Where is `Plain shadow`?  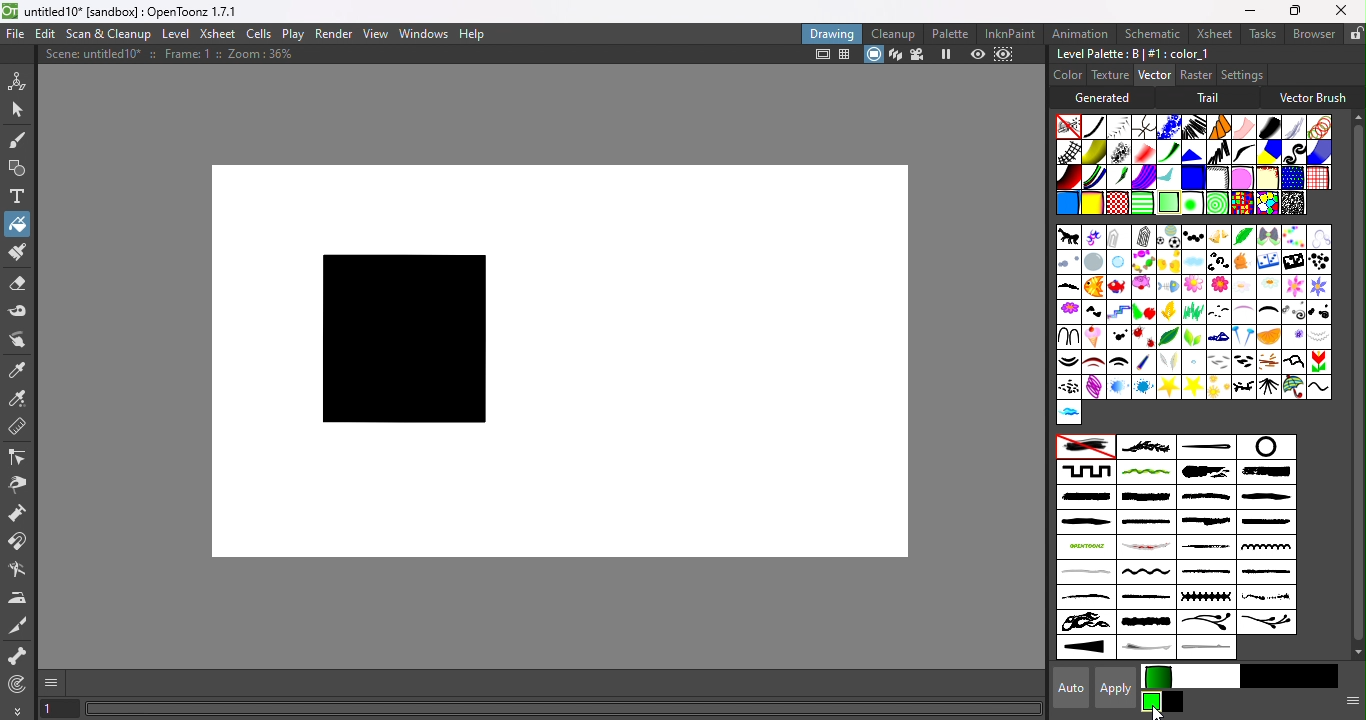
Plain shadow is located at coordinates (1091, 204).